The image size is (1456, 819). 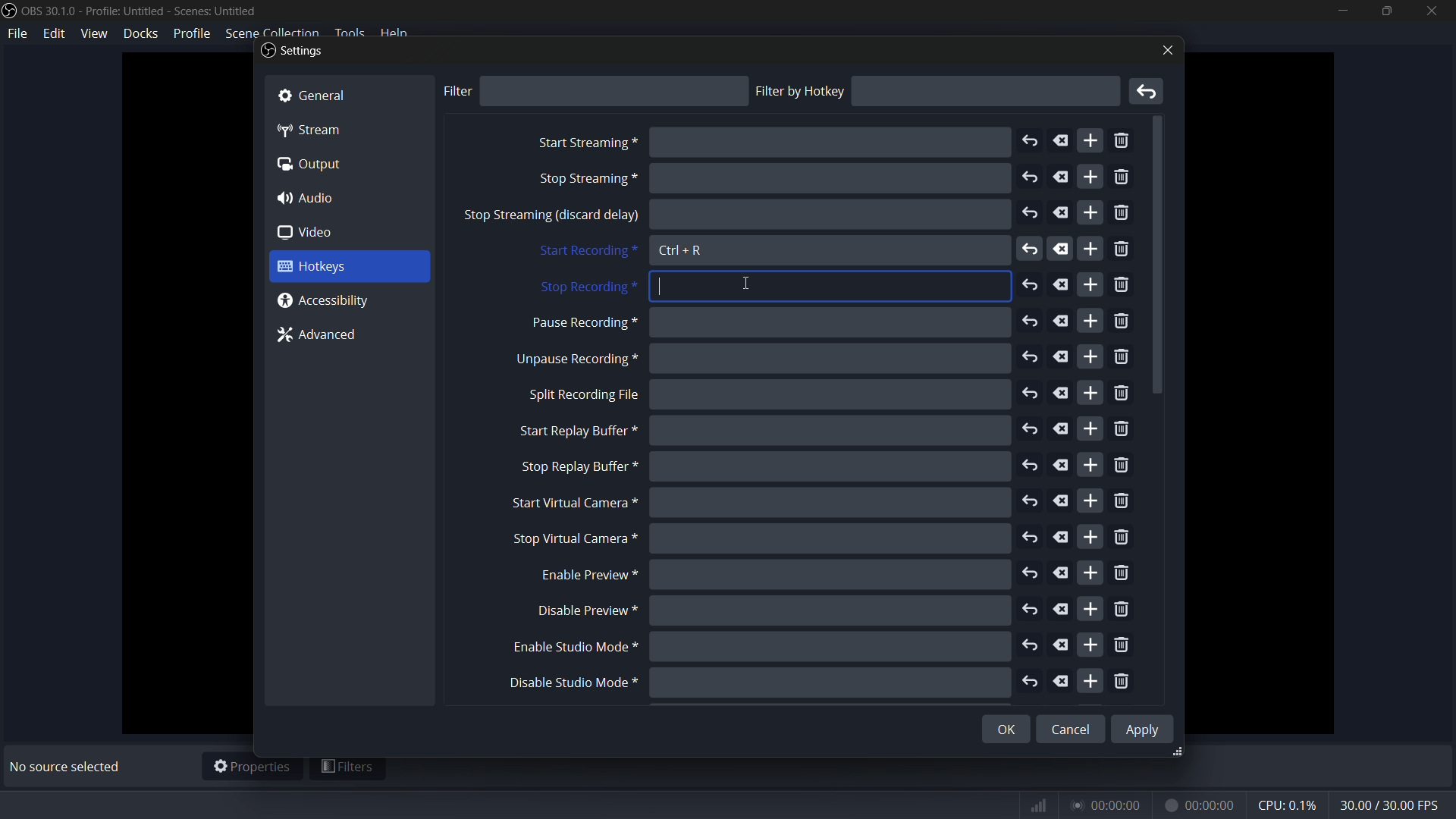 What do you see at coordinates (1062, 215) in the screenshot?
I see `delete` at bounding box center [1062, 215].